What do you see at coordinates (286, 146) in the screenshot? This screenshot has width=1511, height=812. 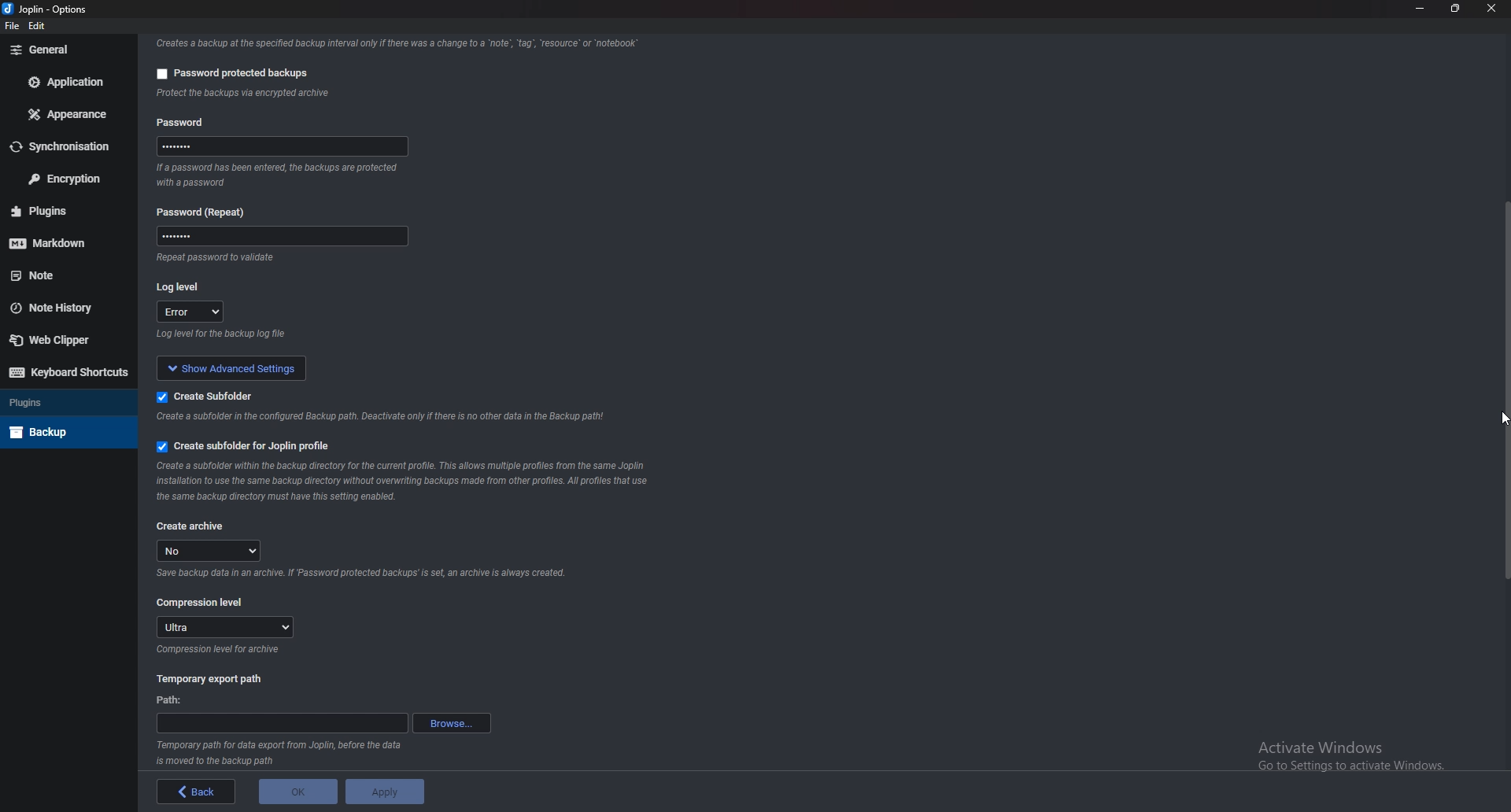 I see `password` at bounding box center [286, 146].